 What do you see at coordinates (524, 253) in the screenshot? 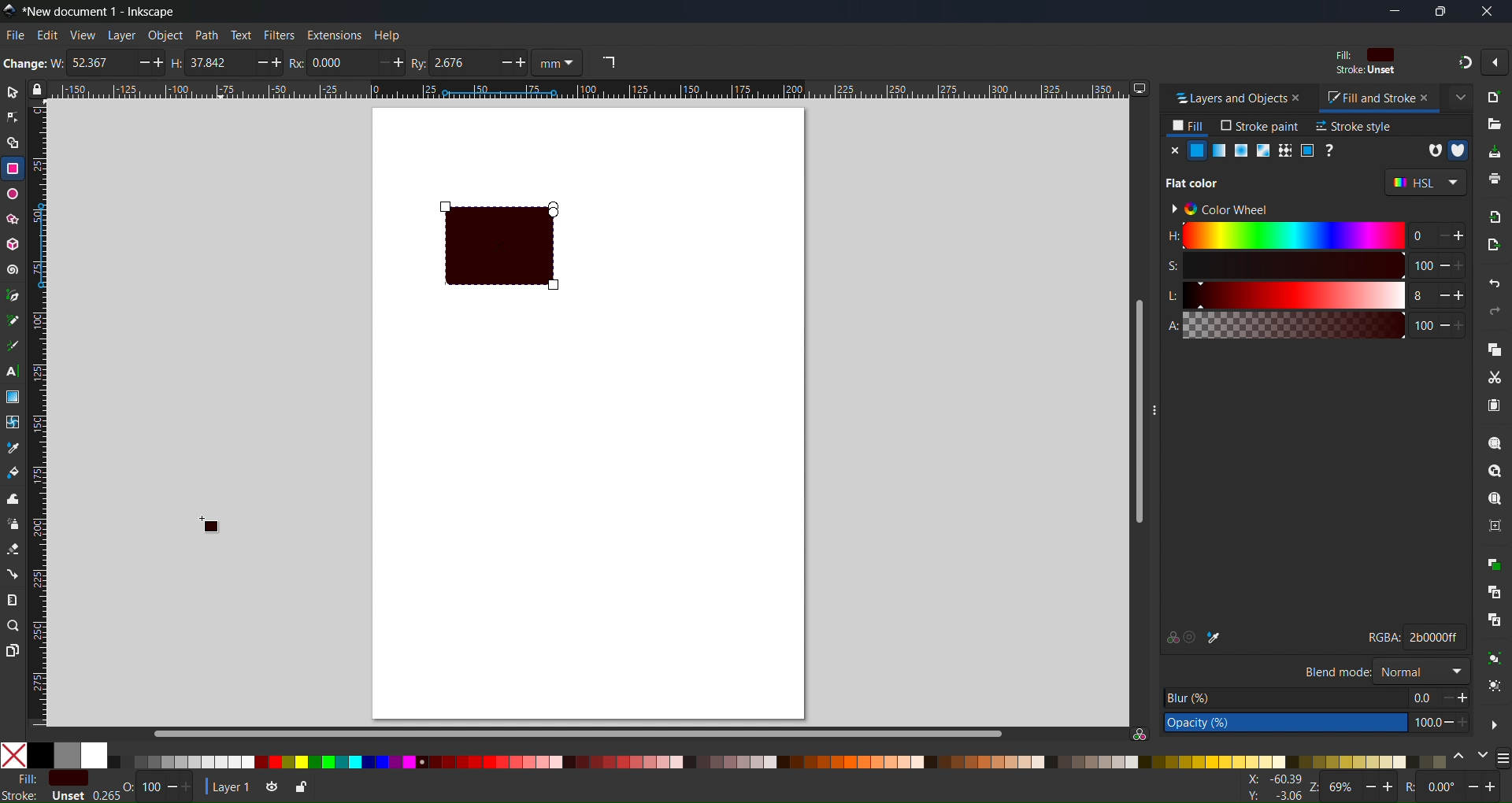
I see `Rectangle Flipped` at bounding box center [524, 253].